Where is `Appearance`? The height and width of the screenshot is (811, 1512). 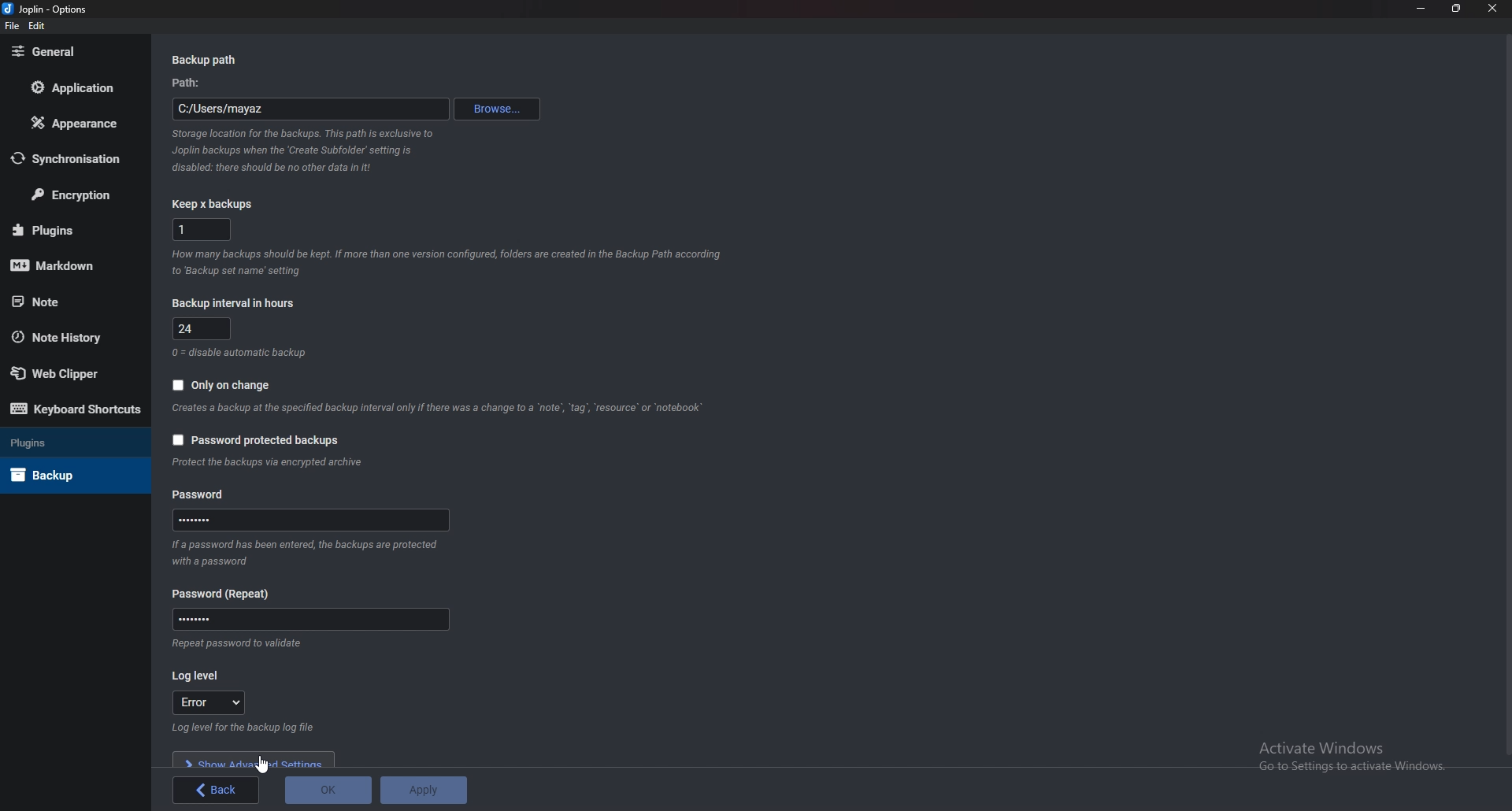 Appearance is located at coordinates (74, 124).